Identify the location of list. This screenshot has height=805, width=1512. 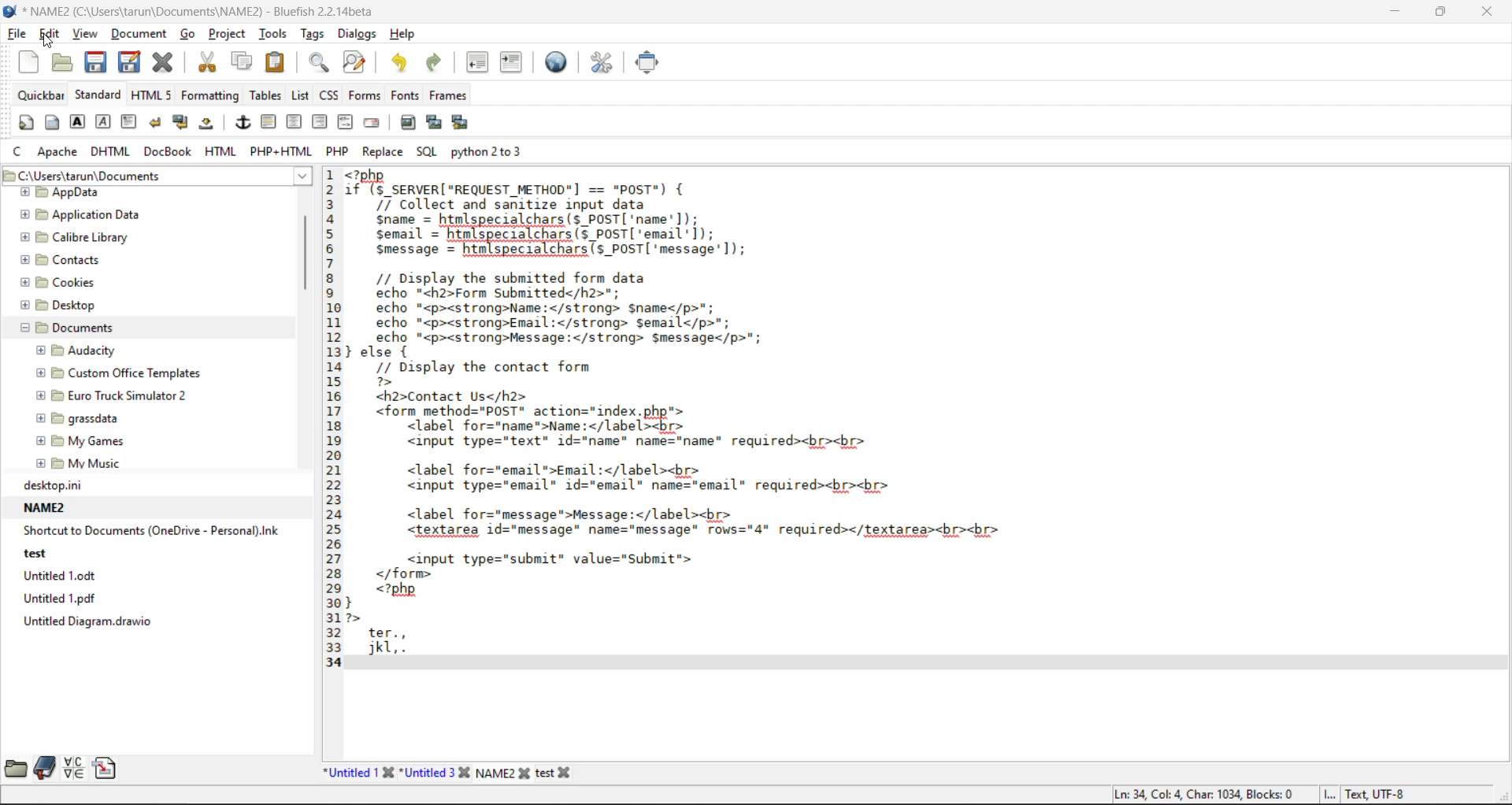
(298, 96).